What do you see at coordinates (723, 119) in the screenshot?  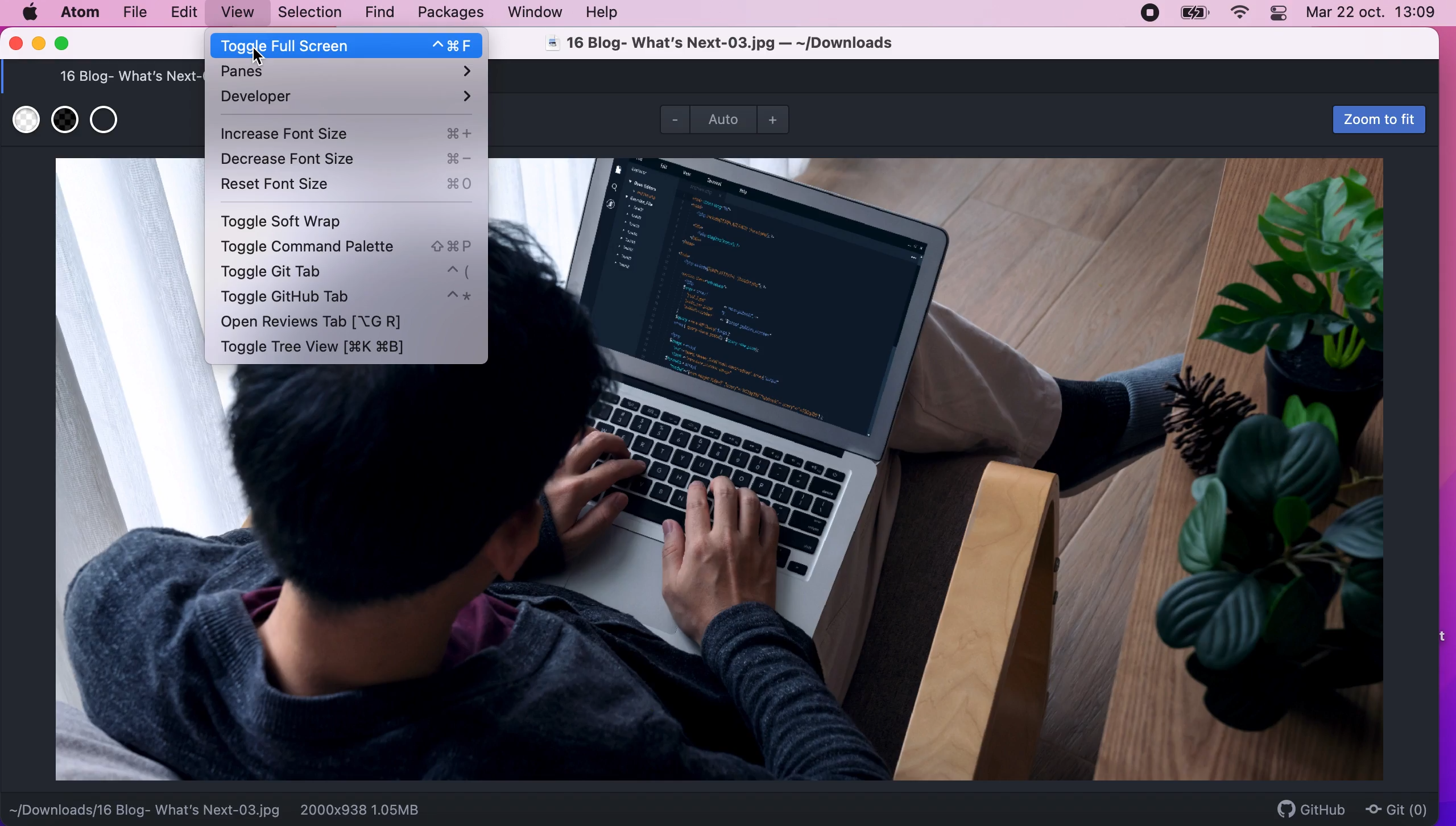 I see `zoom mode` at bounding box center [723, 119].